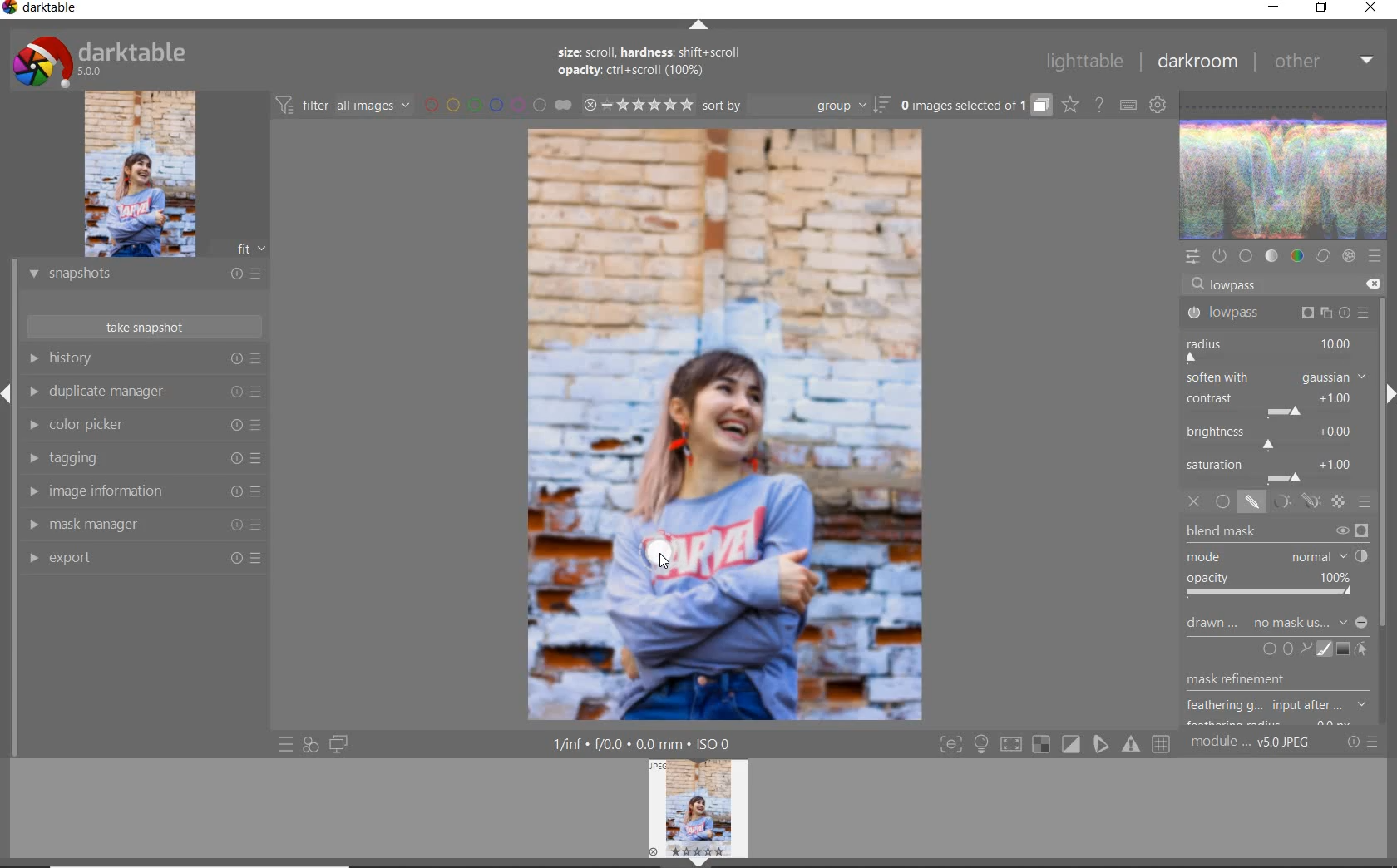  Describe the element at coordinates (1272, 257) in the screenshot. I see `tone` at that location.